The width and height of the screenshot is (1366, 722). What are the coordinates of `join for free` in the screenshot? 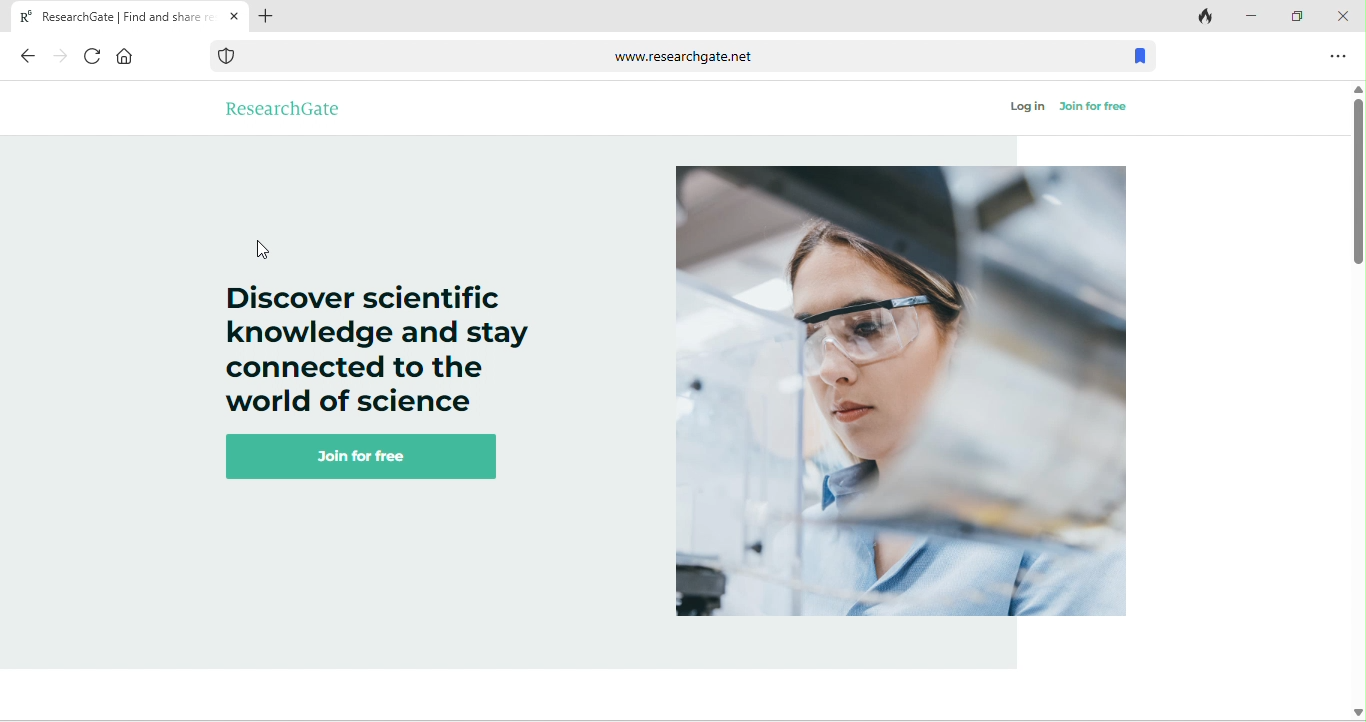 It's located at (362, 457).